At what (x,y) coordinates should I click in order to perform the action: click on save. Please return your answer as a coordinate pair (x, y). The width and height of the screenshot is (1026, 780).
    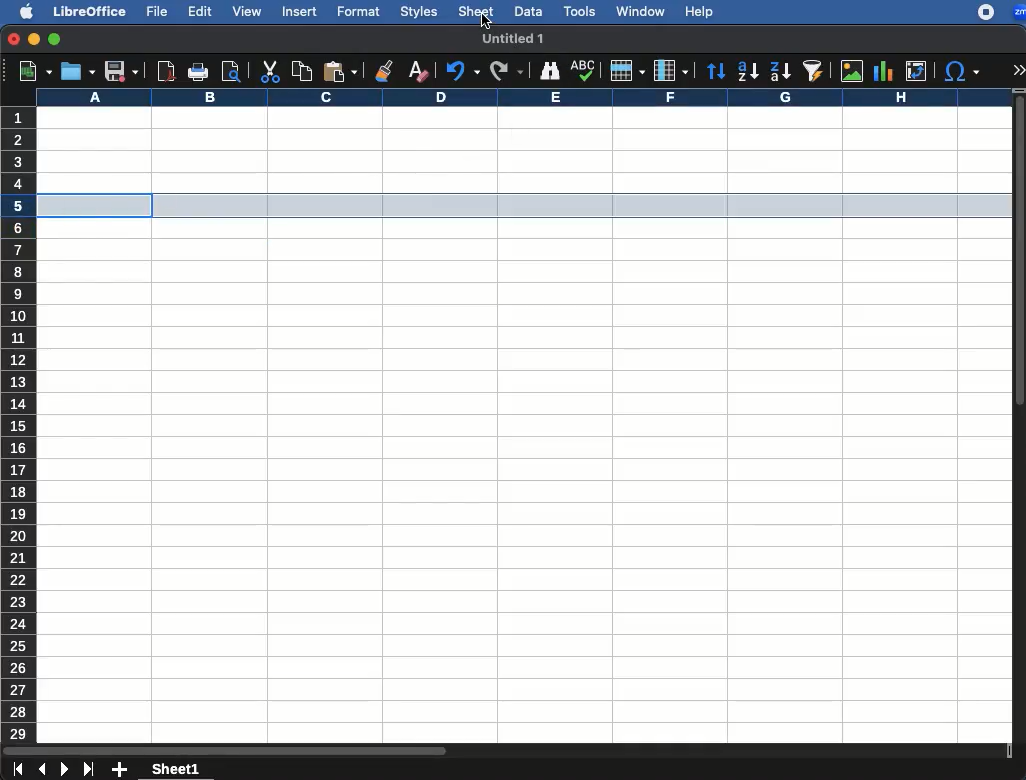
    Looking at the image, I should click on (122, 72).